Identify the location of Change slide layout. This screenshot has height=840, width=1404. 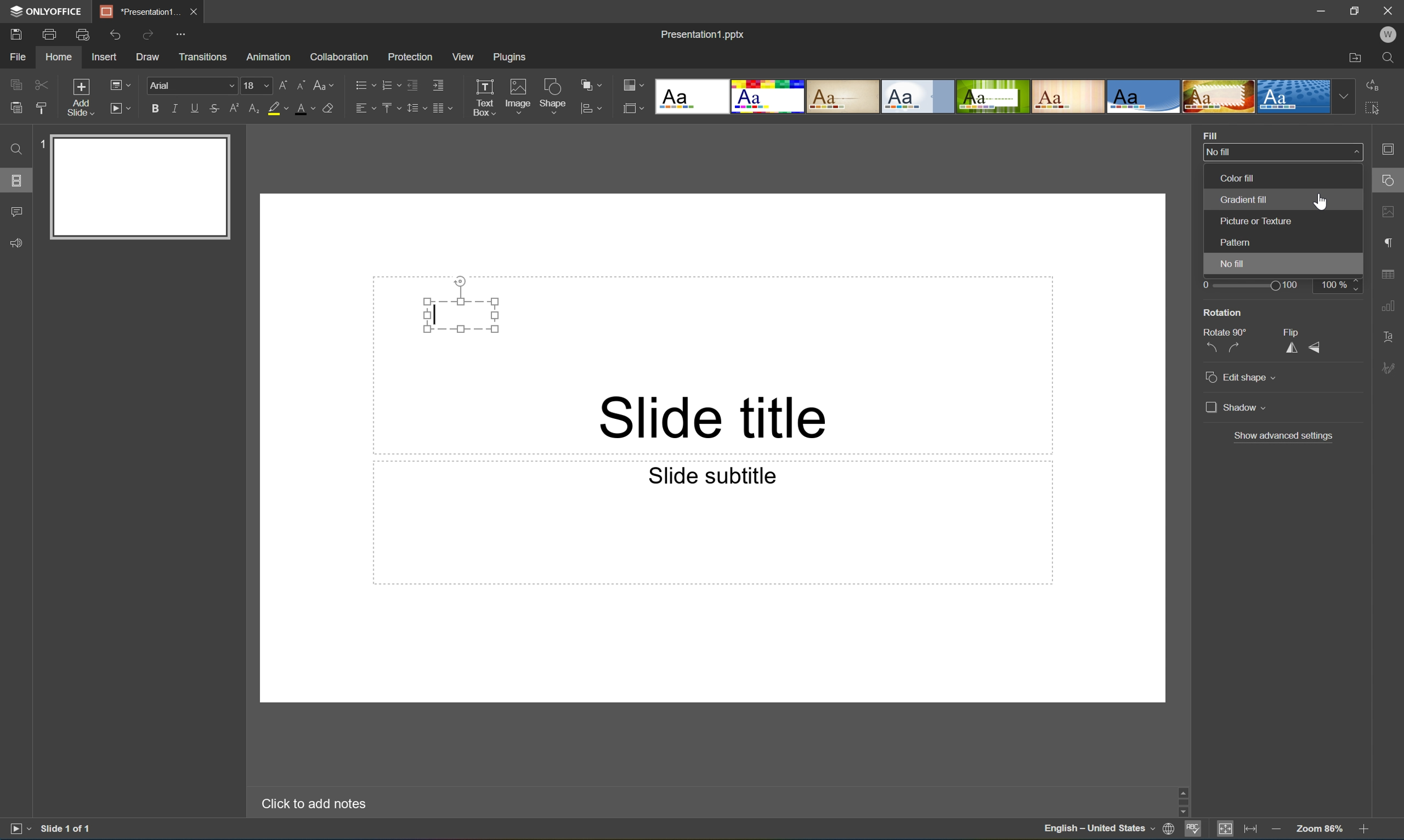
(118, 83).